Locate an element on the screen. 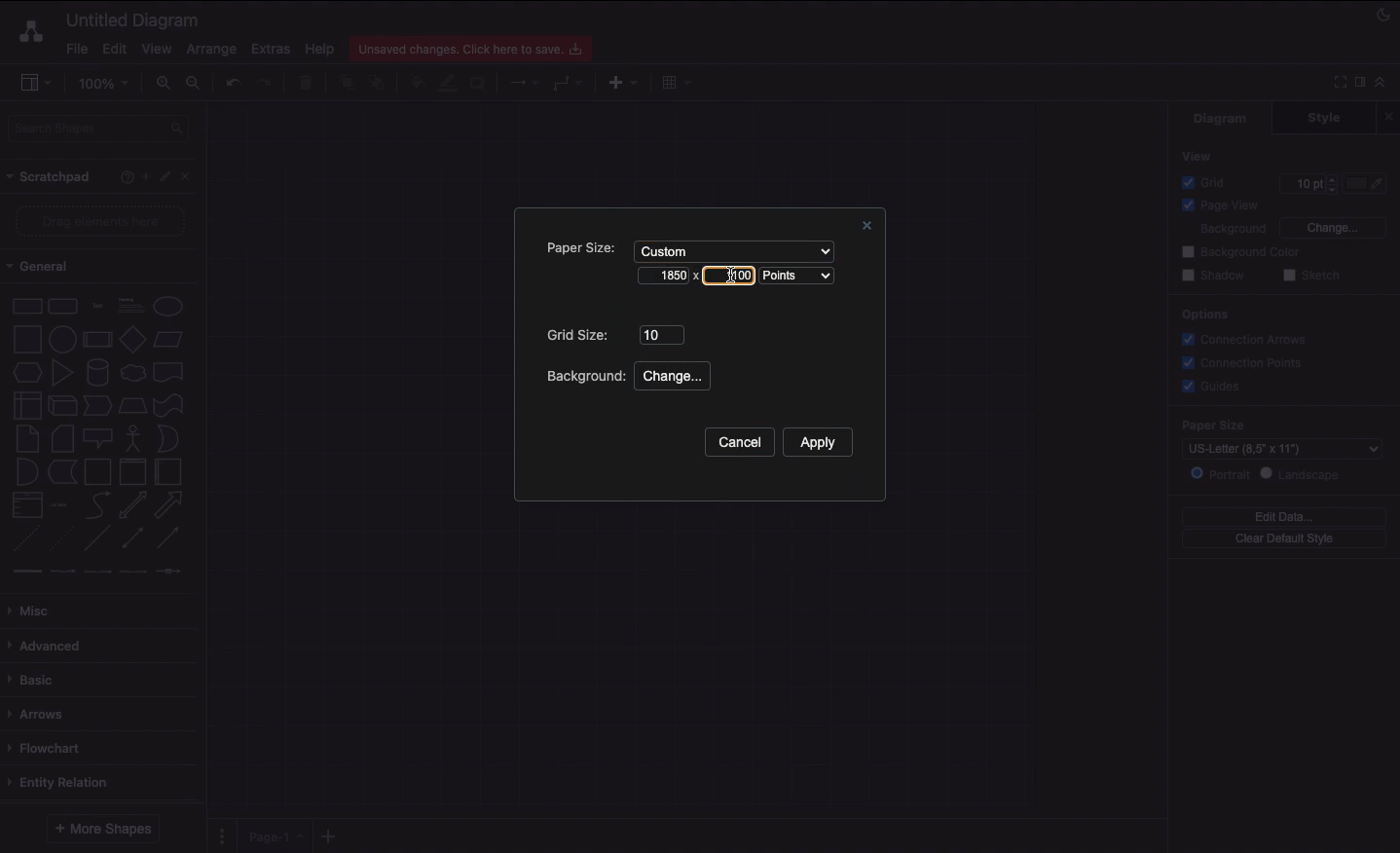 The width and height of the screenshot is (1400, 853). Edit is located at coordinates (167, 177).